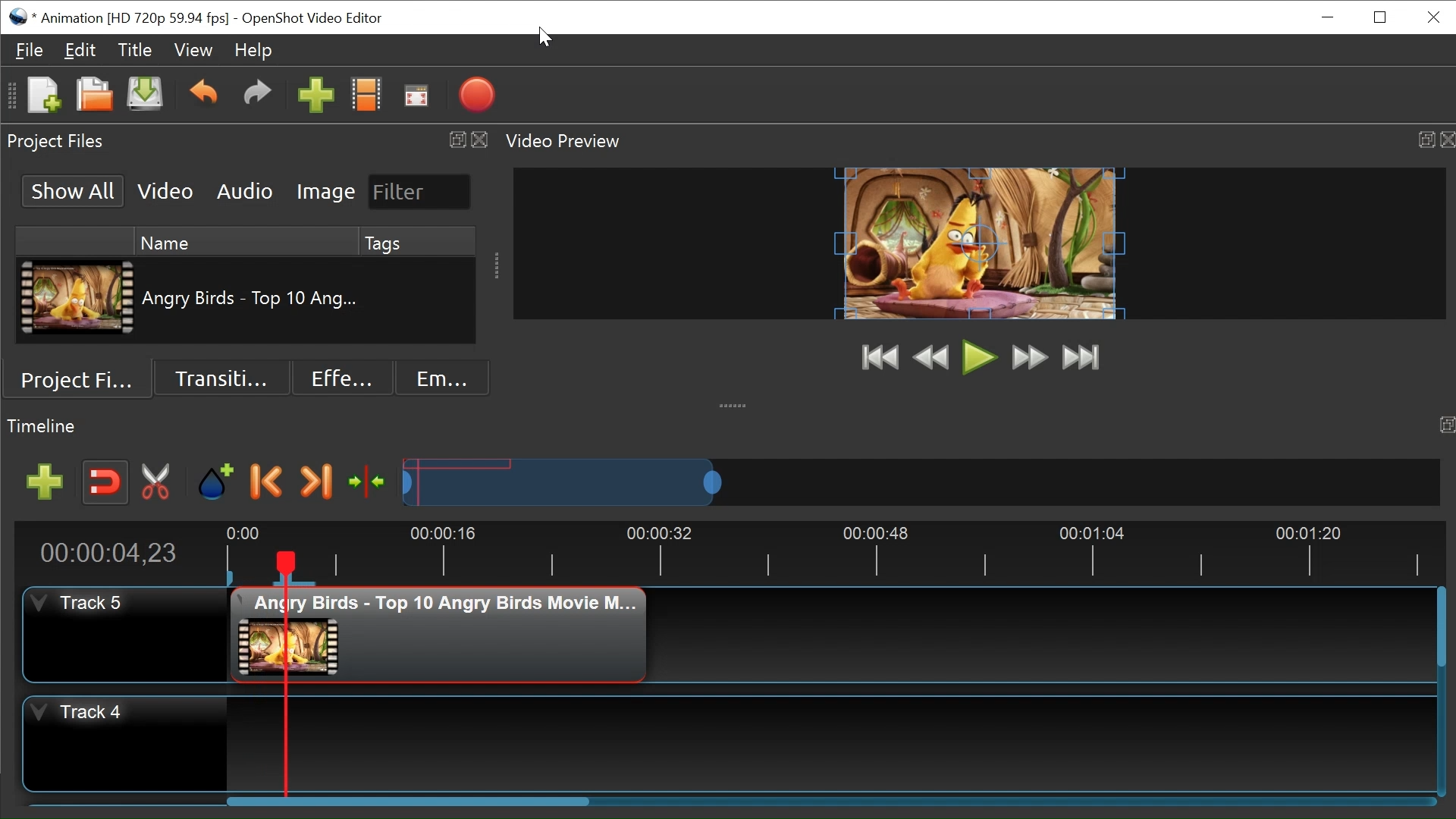 This screenshot has height=819, width=1456. What do you see at coordinates (17, 17) in the screenshot?
I see `OpenShot Desktop icon` at bounding box center [17, 17].